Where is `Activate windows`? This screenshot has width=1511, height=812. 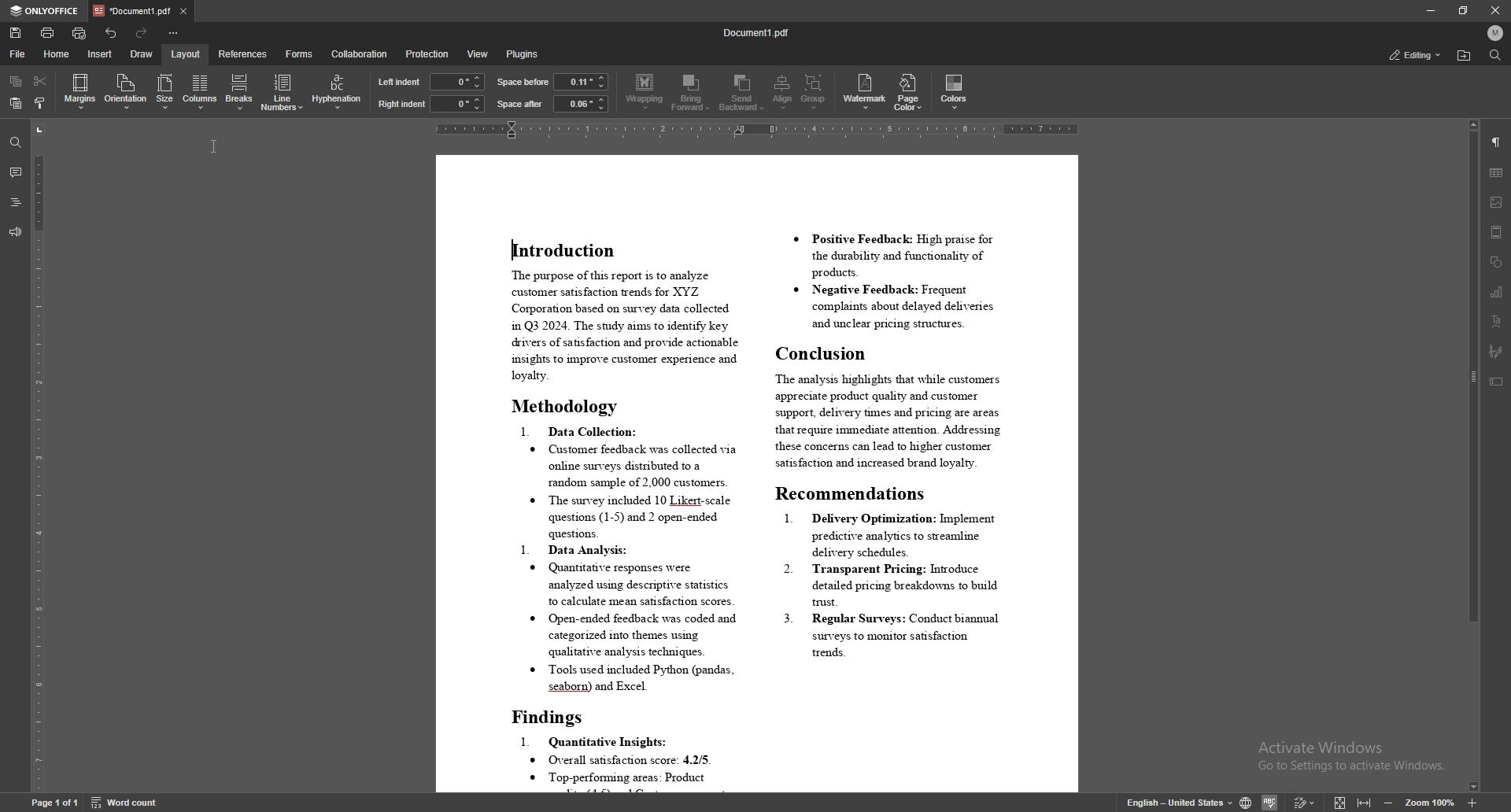
Activate windows is located at coordinates (1347, 758).